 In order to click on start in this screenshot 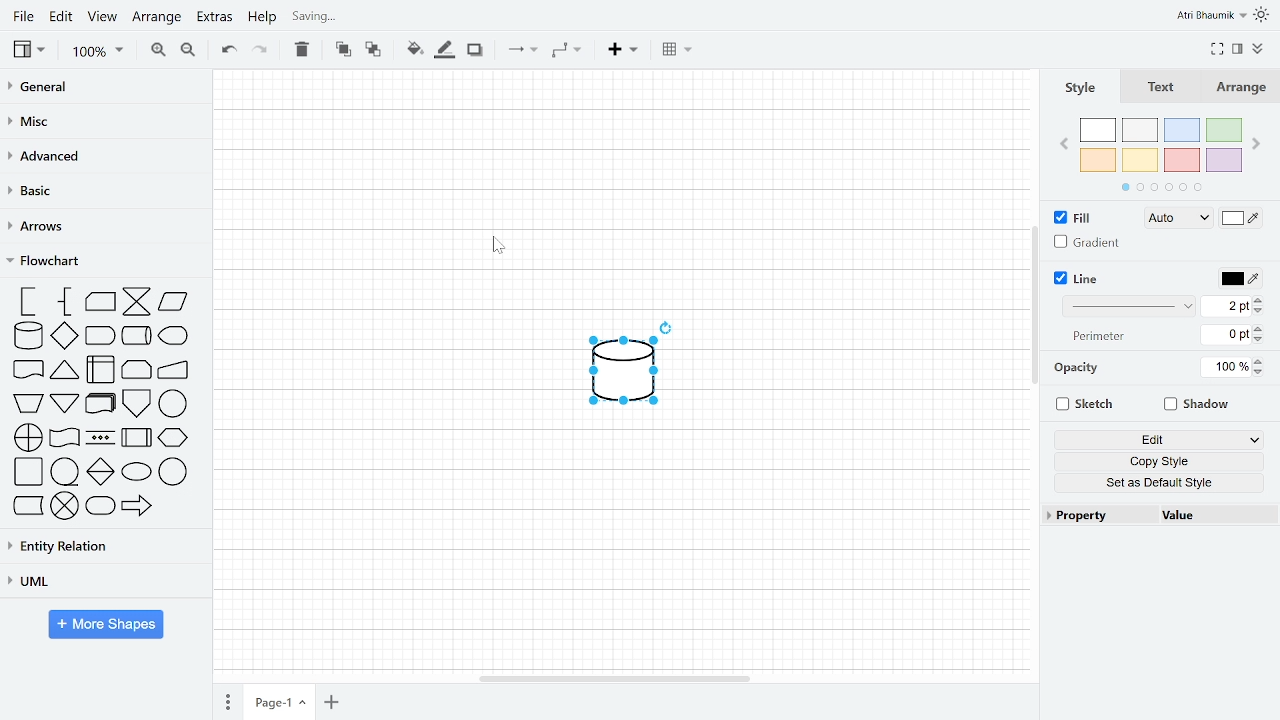, I will do `click(136, 472)`.